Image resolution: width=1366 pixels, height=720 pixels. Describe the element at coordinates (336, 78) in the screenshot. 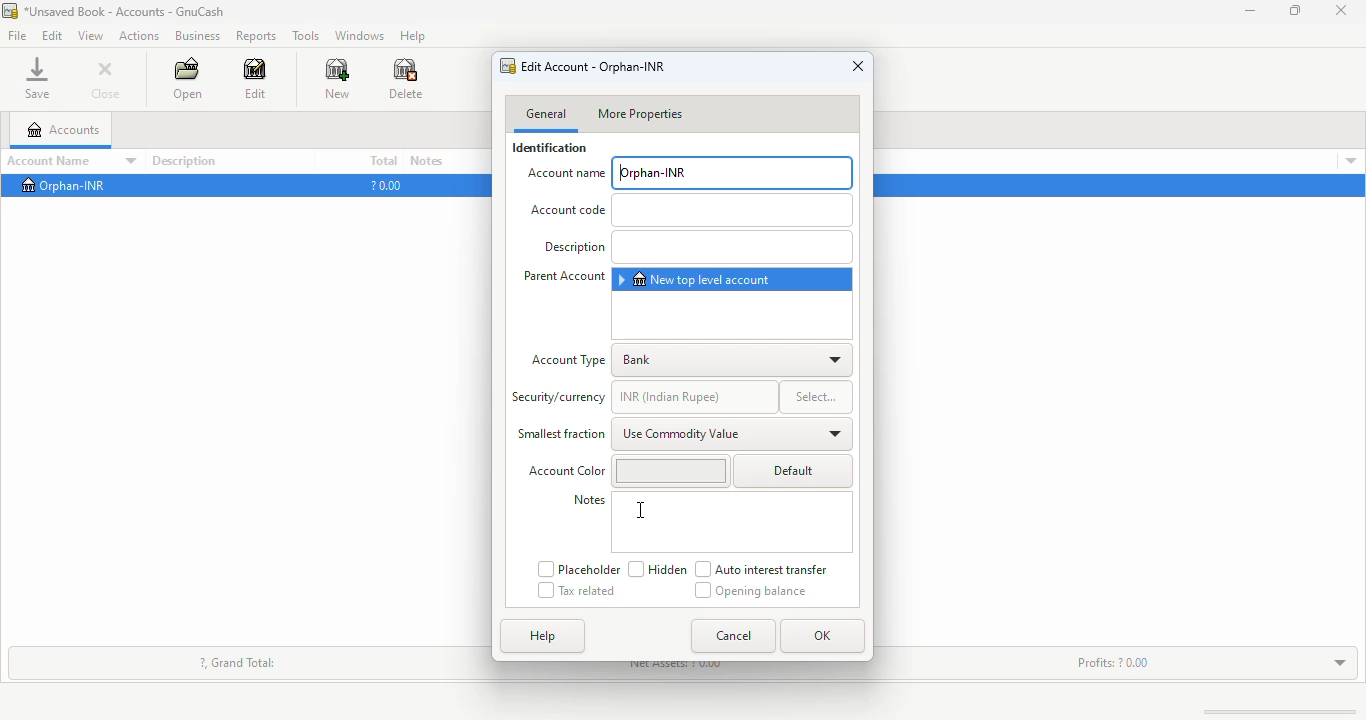

I see `new` at that location.